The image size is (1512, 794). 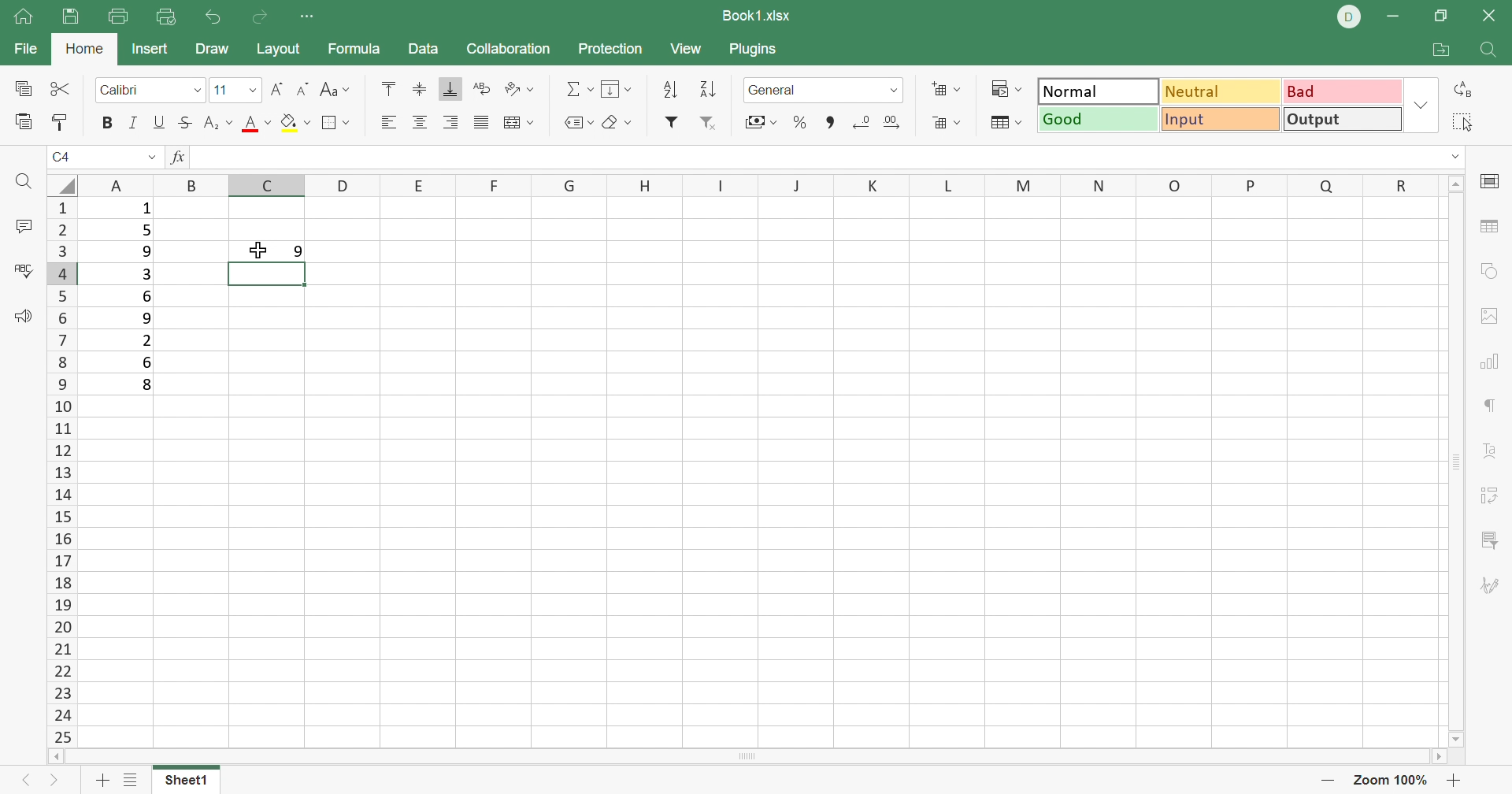 What do you see at coordinates (1008, 88) in the screenshot?
I see `Conditional formatting` at bounding box center [1008, 88].